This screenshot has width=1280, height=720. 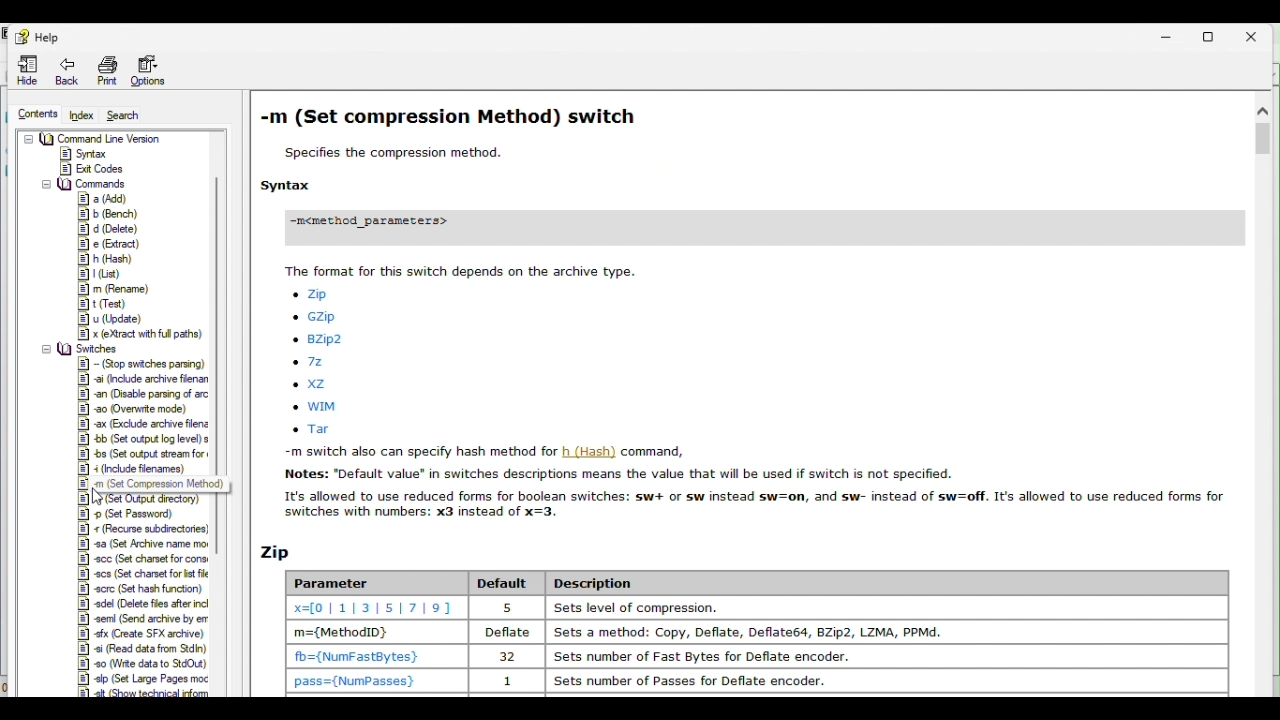 I want to click on ao, so click(x=140, y=409).